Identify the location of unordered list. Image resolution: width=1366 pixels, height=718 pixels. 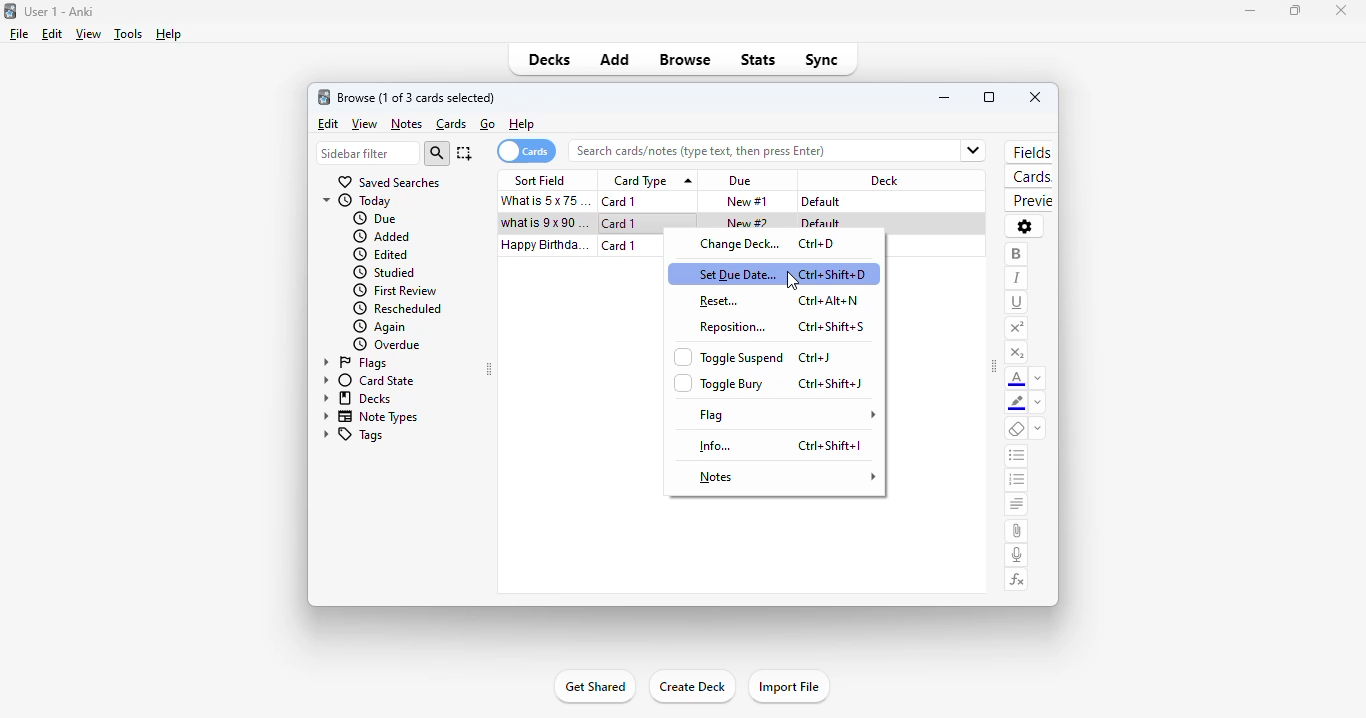
(1018, 455).